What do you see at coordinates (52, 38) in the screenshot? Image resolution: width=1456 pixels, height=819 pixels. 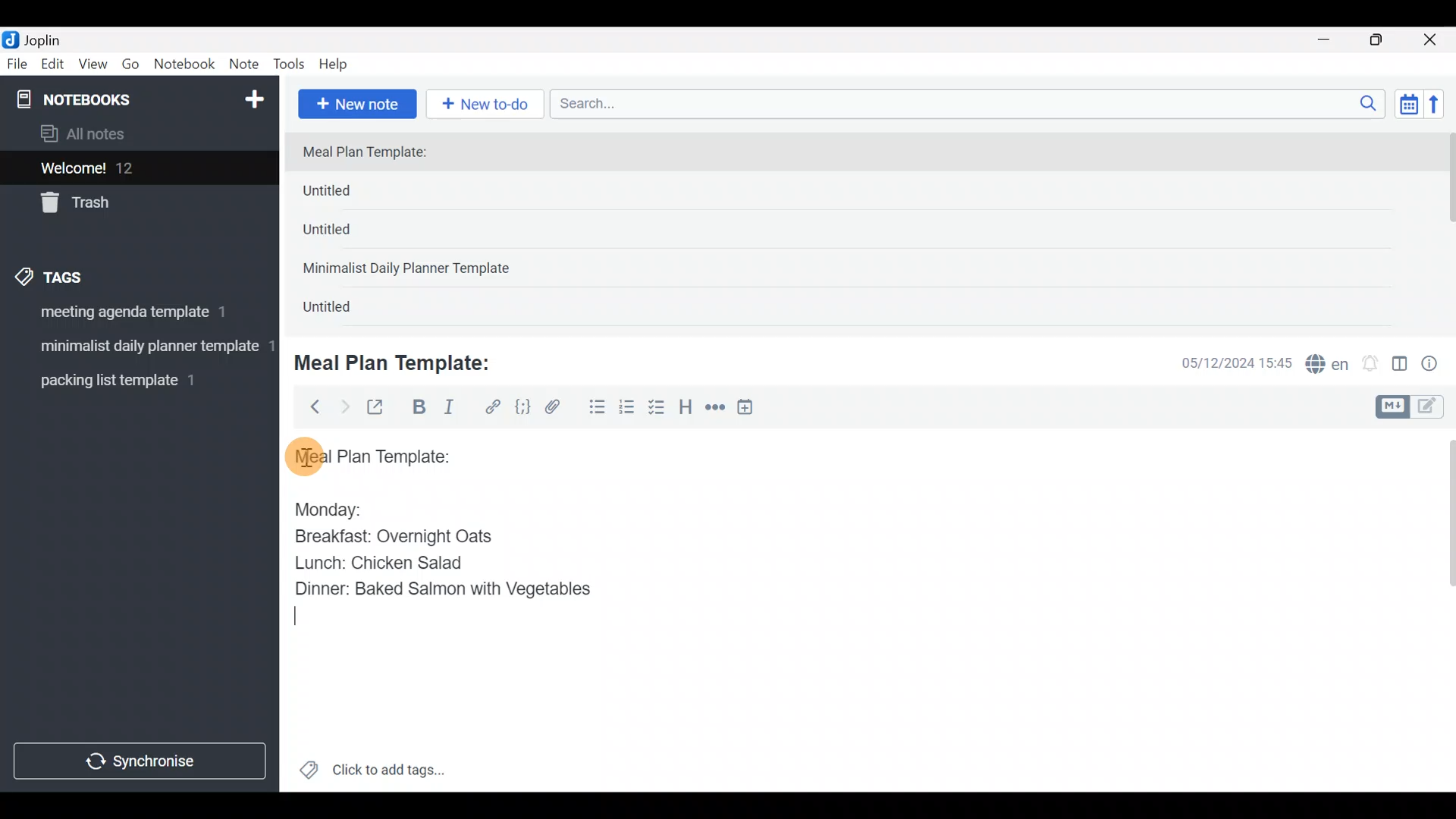 I see `Joplin` at bounding box center [52, 38].